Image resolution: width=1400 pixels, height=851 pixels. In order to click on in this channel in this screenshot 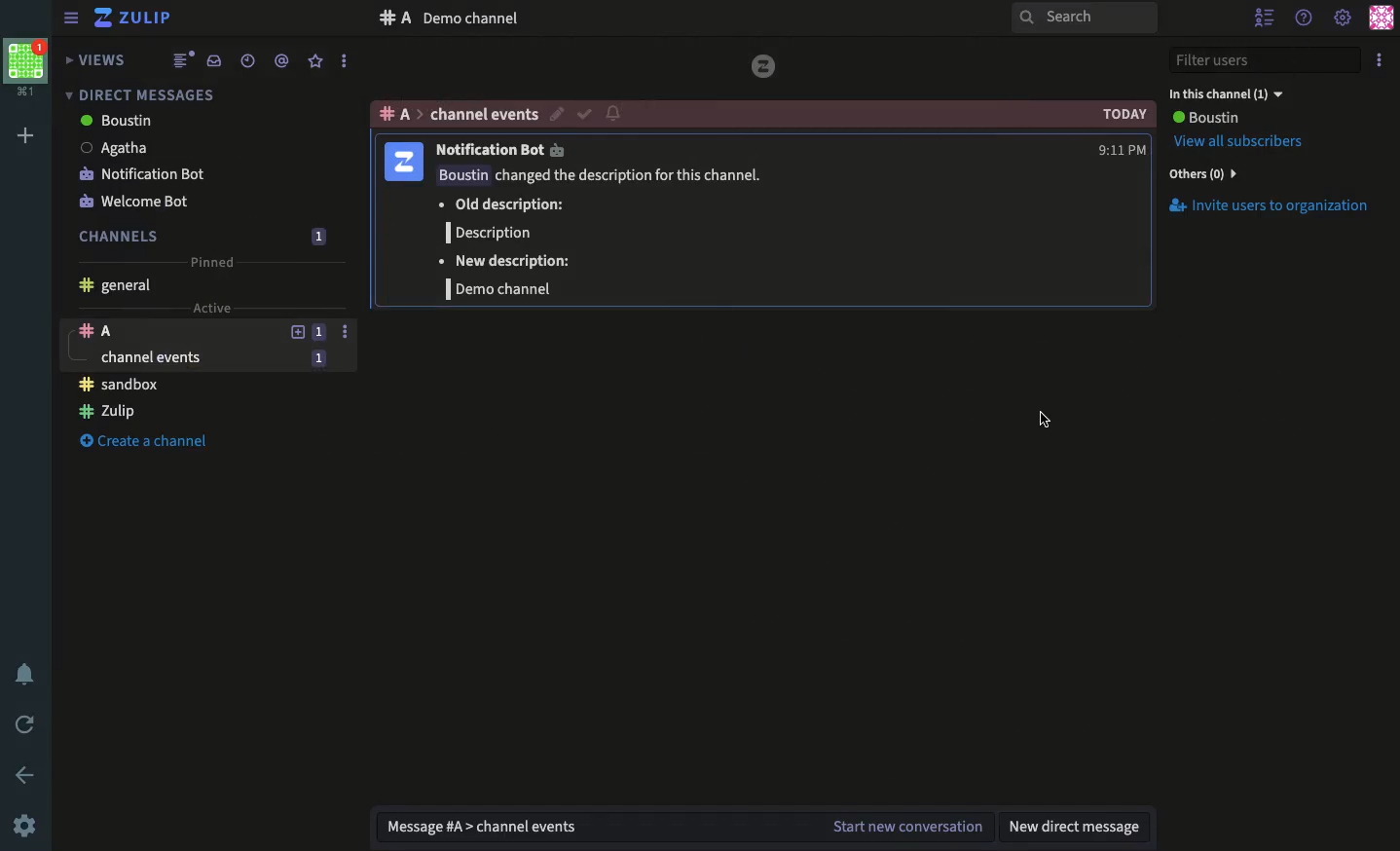, I will do `click(1226, 92)`.